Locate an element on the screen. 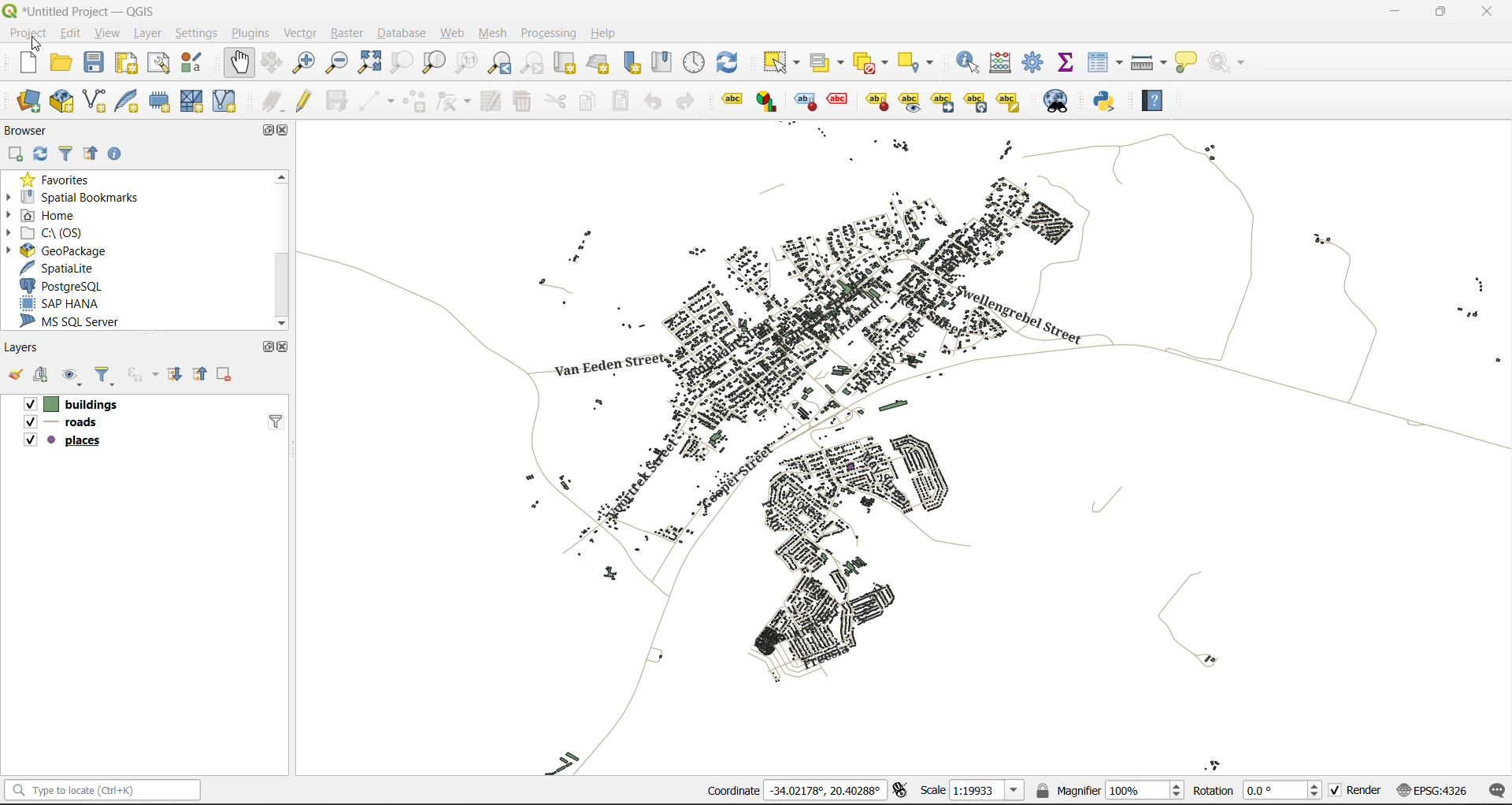 This screenshot has height=805, width=1512. remove is located at coordinates (226, 374).